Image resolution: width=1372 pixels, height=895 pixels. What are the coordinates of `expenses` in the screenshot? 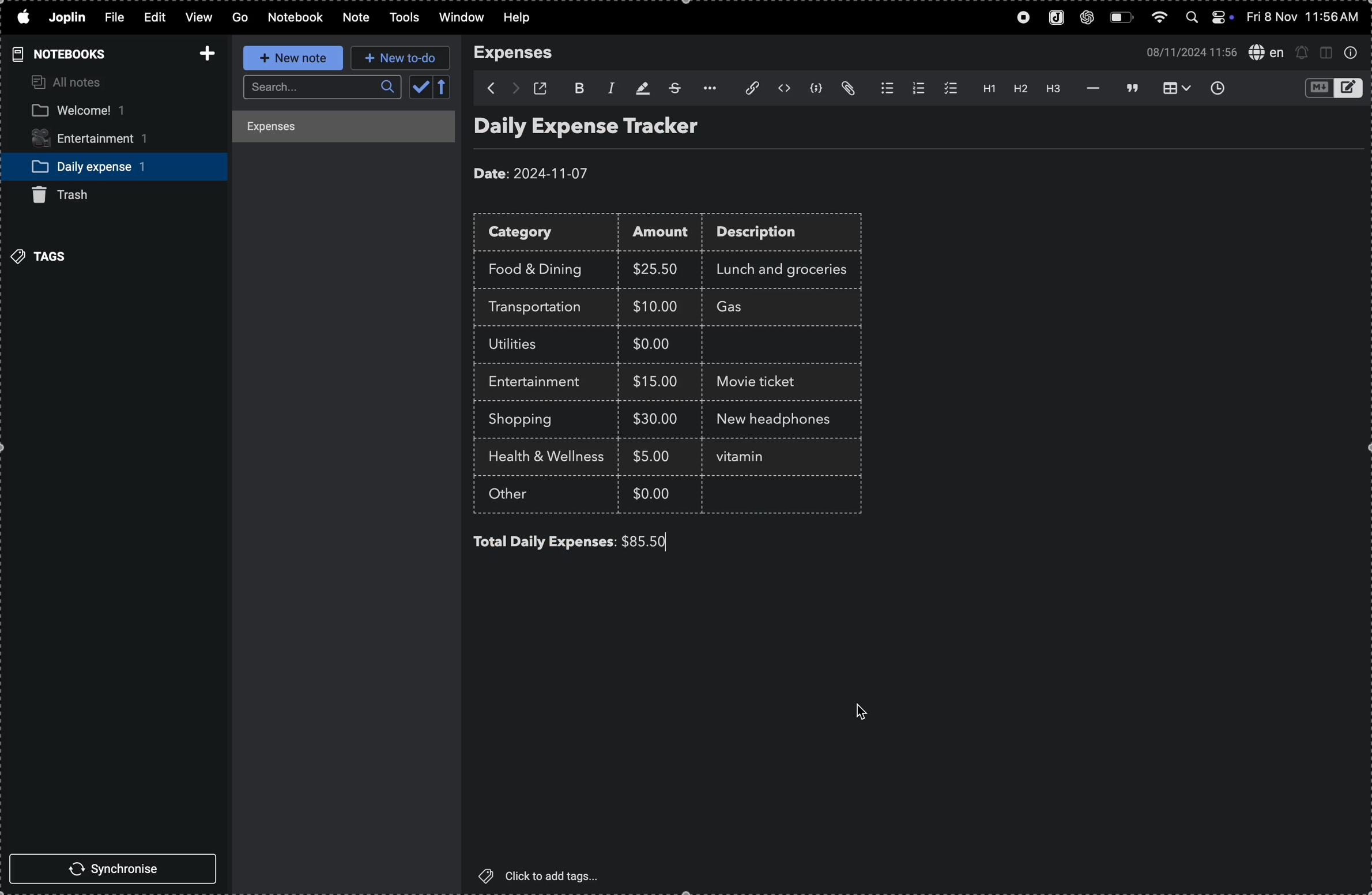 It's located at (333, 129).